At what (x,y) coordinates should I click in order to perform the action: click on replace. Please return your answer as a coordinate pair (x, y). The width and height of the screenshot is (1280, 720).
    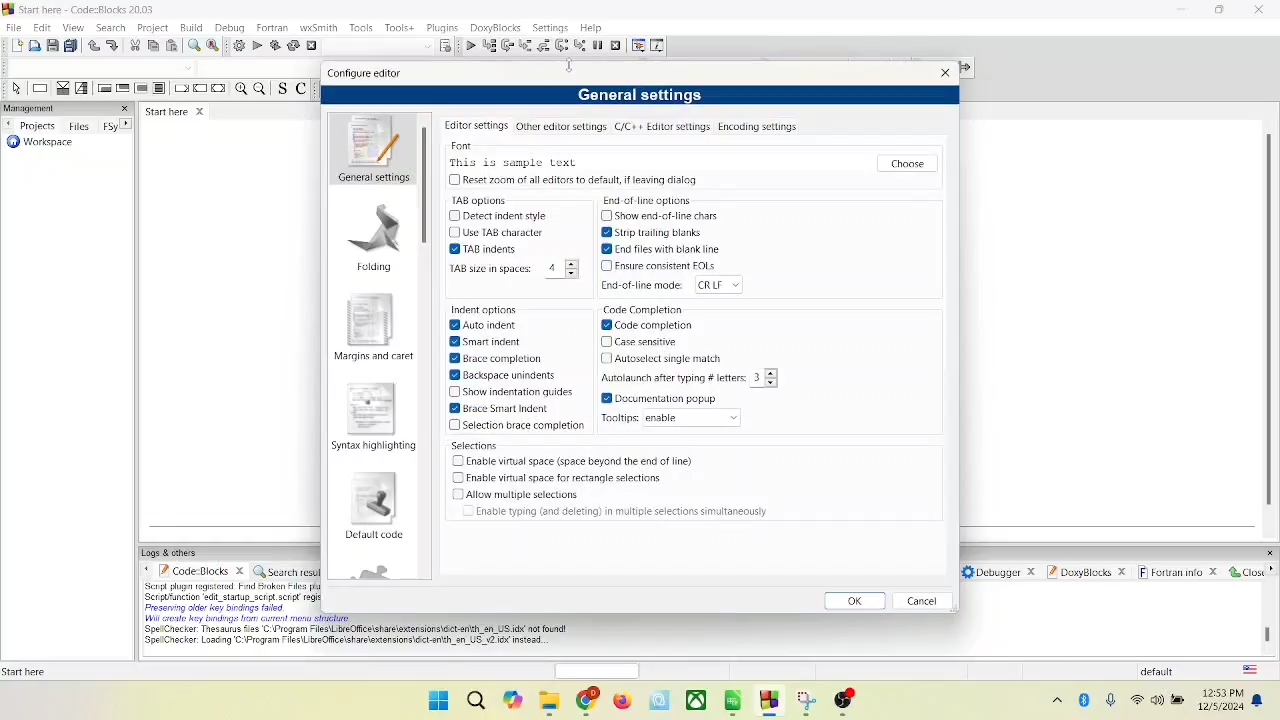
    Looking at the image, I should click on (213, 46).